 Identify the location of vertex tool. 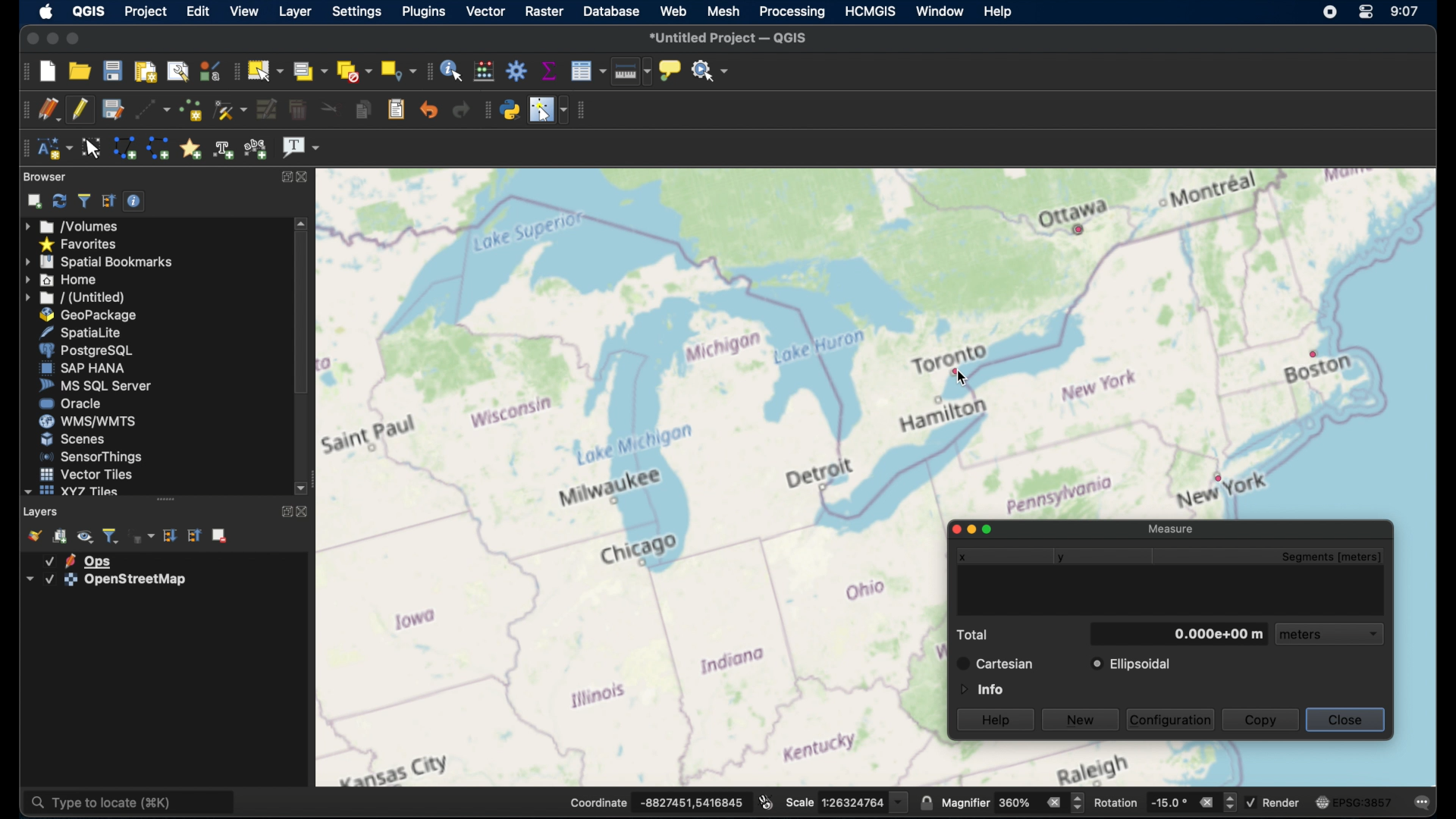
(231, 110).